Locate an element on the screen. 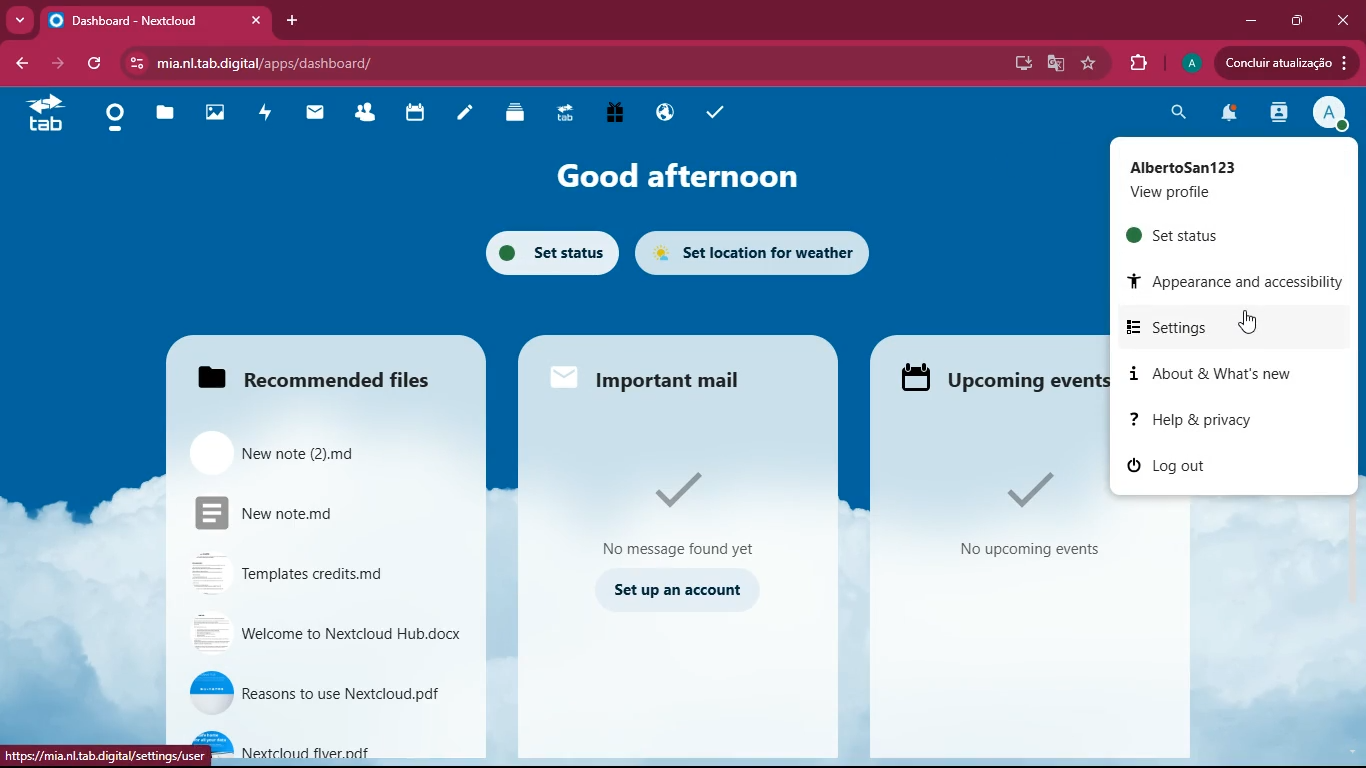  log out is located at coordinates (1225, 470).